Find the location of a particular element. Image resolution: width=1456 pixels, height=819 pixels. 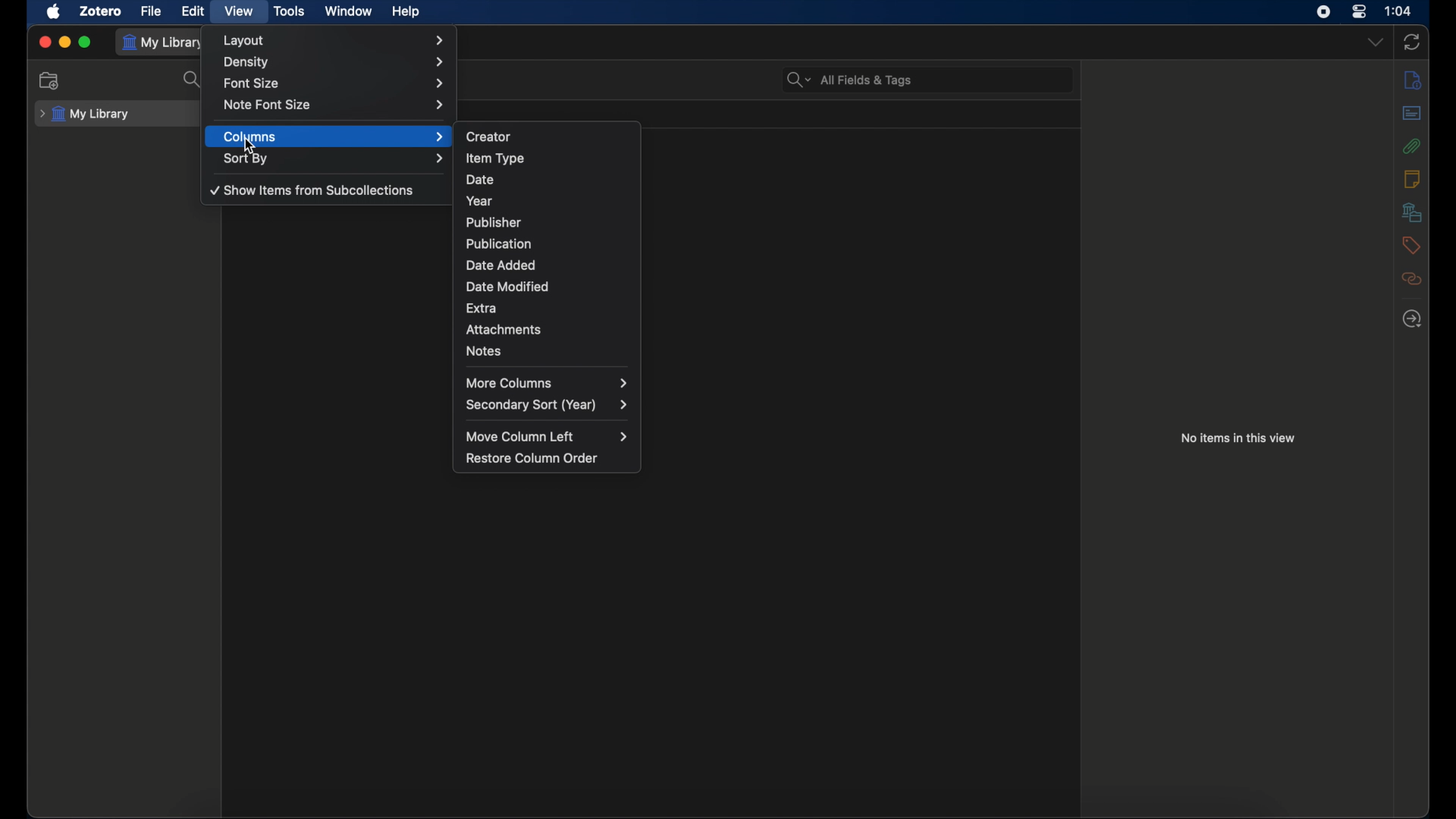

my library is located at coordinates (86, 115).